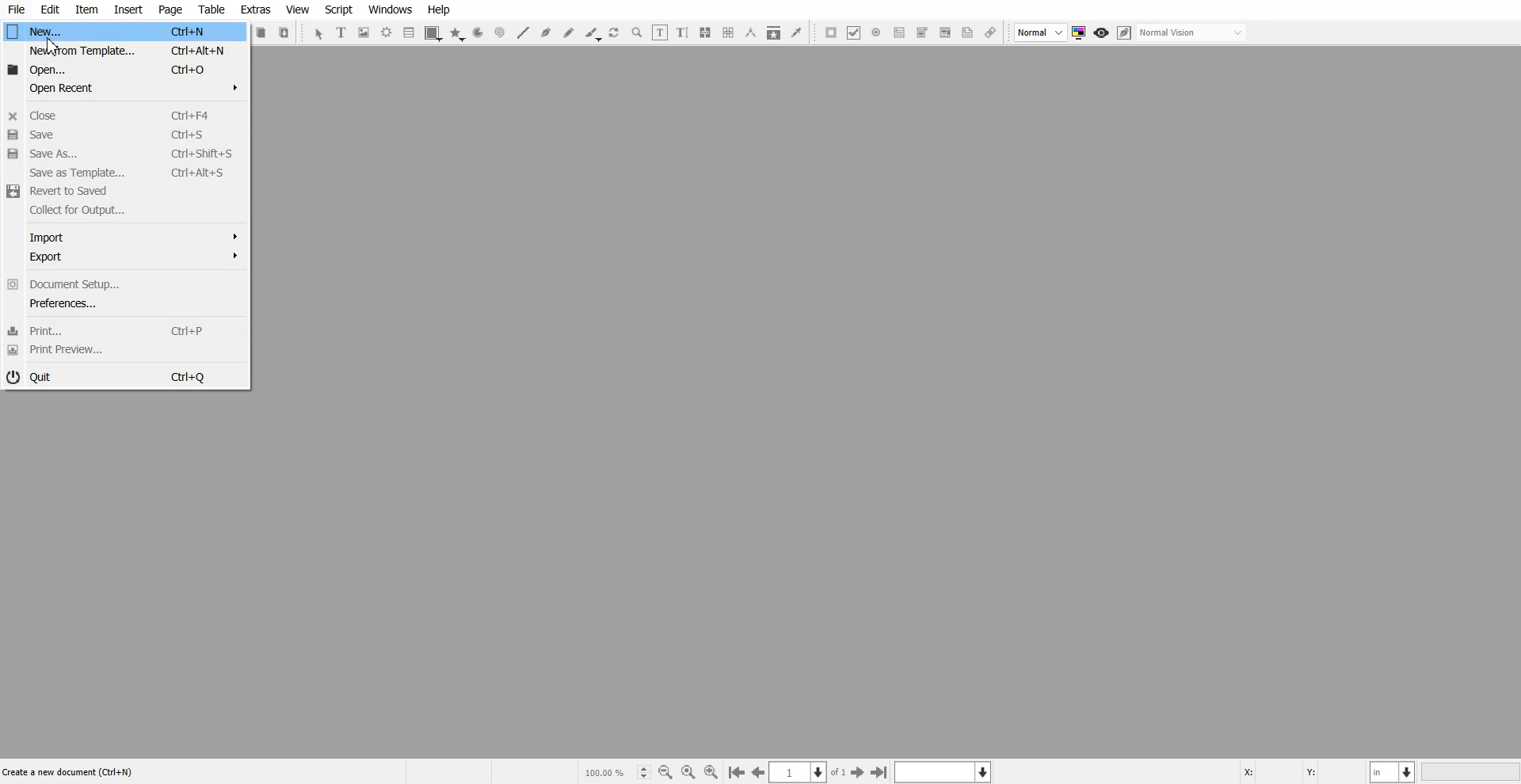 The image size is (1521, 784). Describe the element at coordinates (751, 32) in the screenshot. I see `Measurement` at that location.